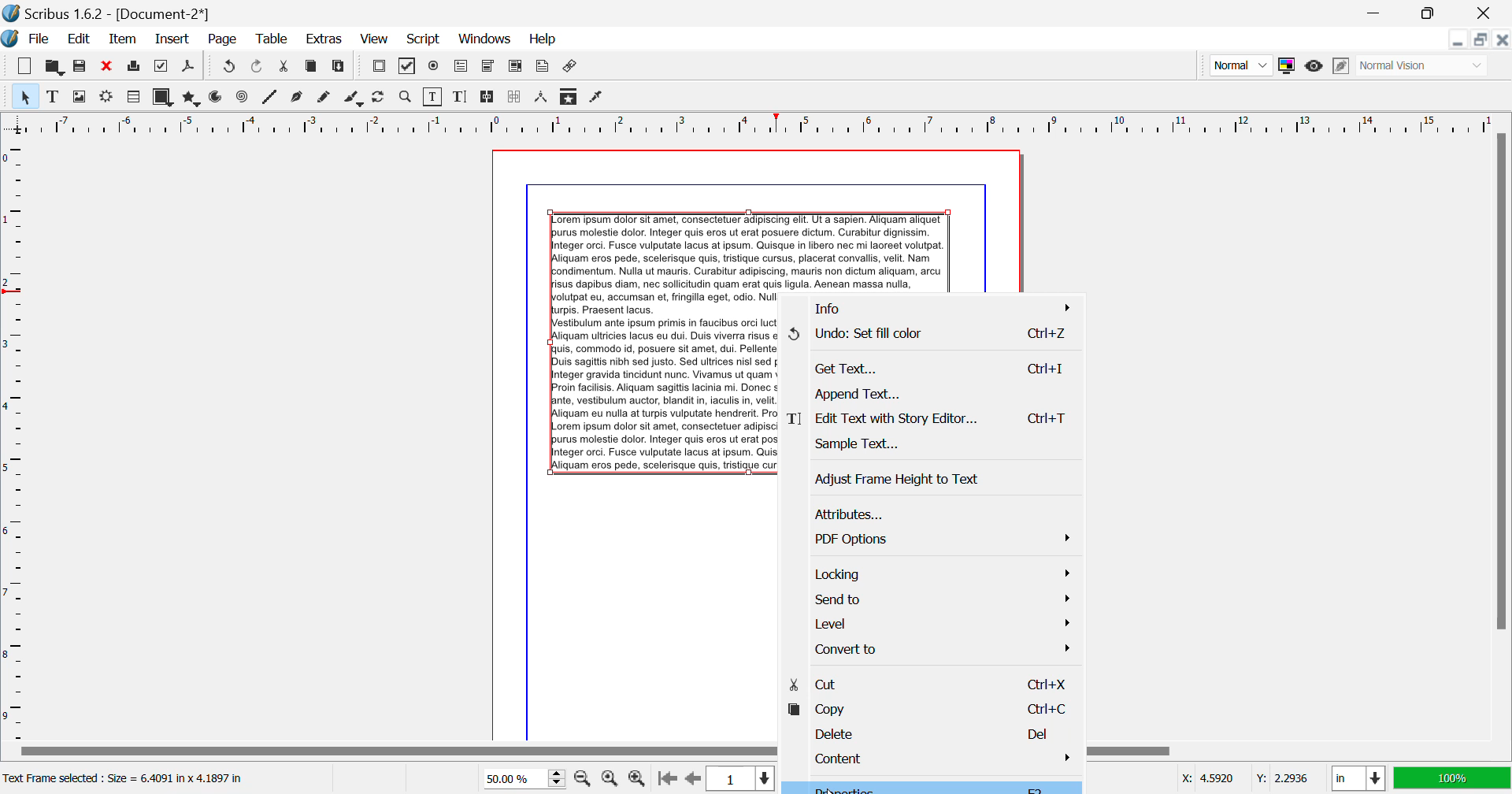 This screenshot has height=794, width=1512. Describe the element at coordinates (665, 780) in the screenshot. I see `First Page` at that location.